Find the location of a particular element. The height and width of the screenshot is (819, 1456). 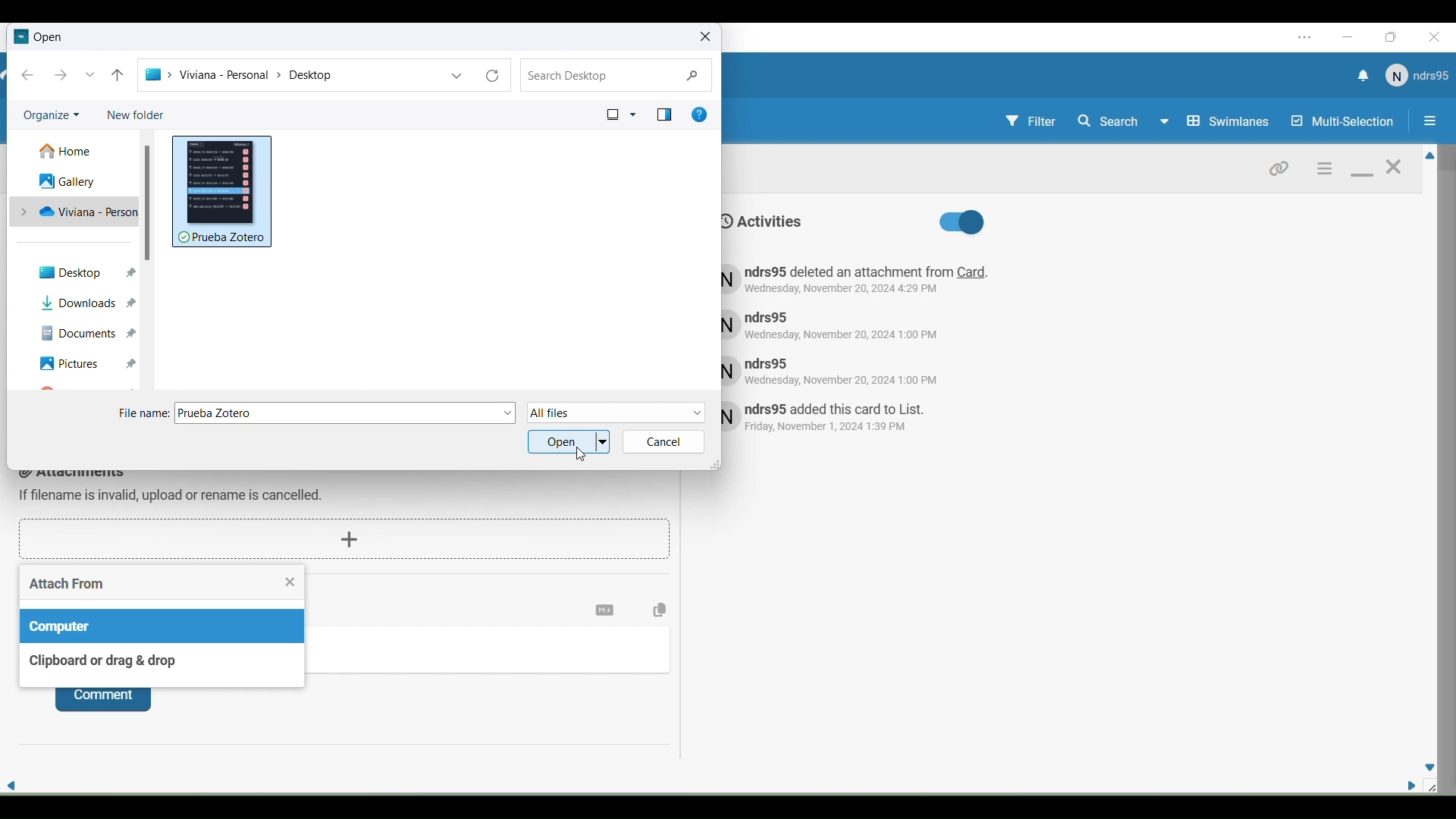

User is located at coordinates (1416, 76).